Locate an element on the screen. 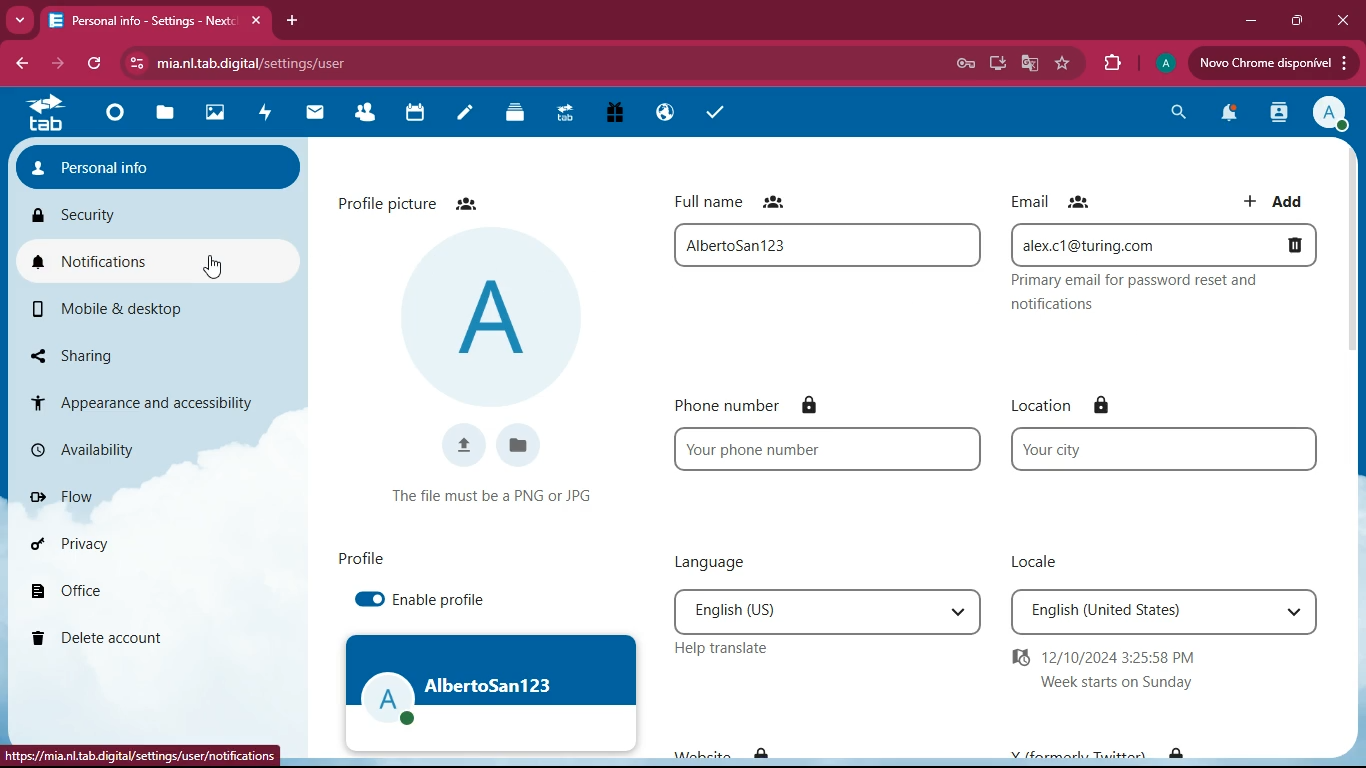 This screenshot has width=1366, height=768. cursor is located at coordinates (210, 267).